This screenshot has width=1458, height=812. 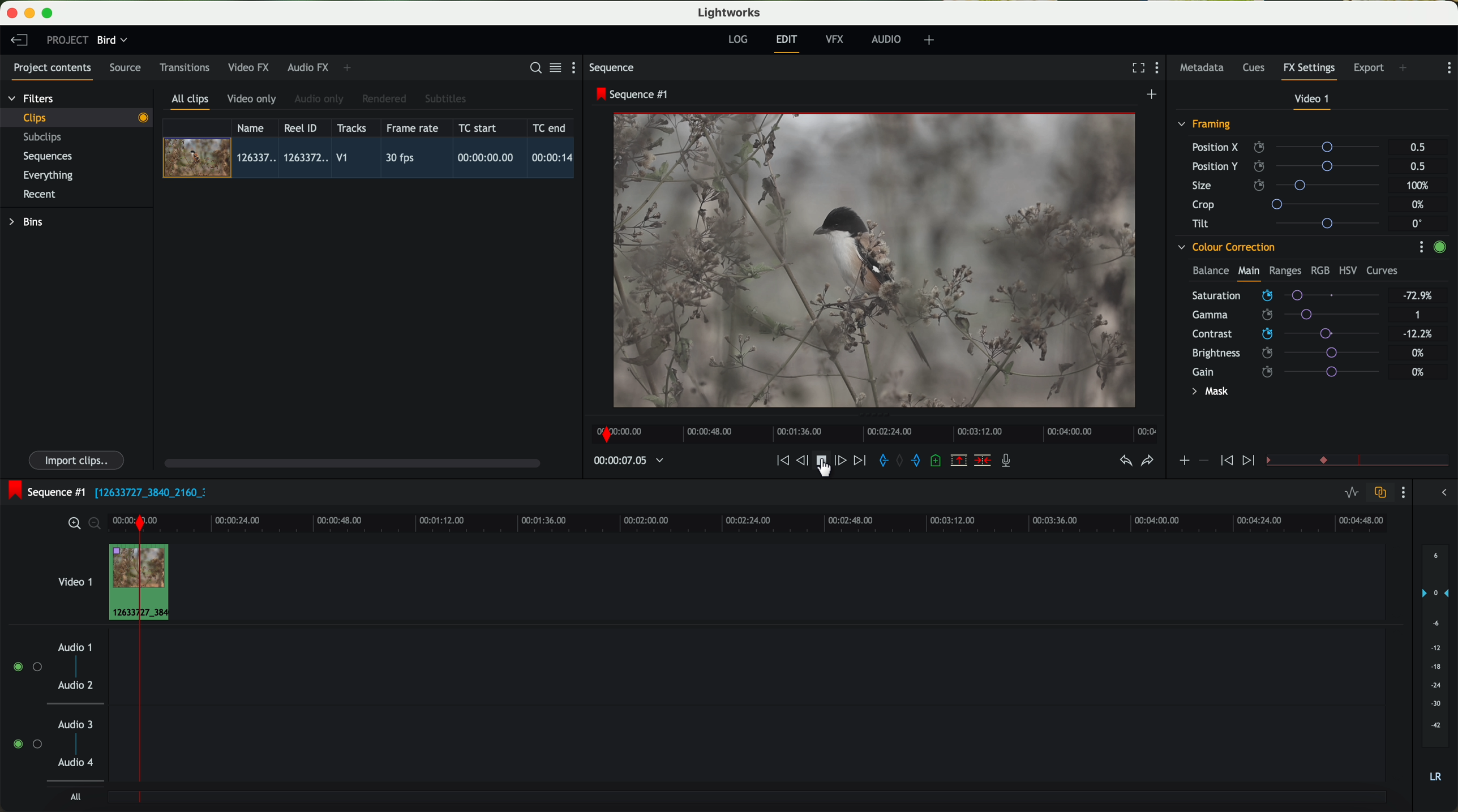 What do you see at coordinates (351, 462) in the screenshot?
I see `scroll bar` at bounding box center [351, 462].